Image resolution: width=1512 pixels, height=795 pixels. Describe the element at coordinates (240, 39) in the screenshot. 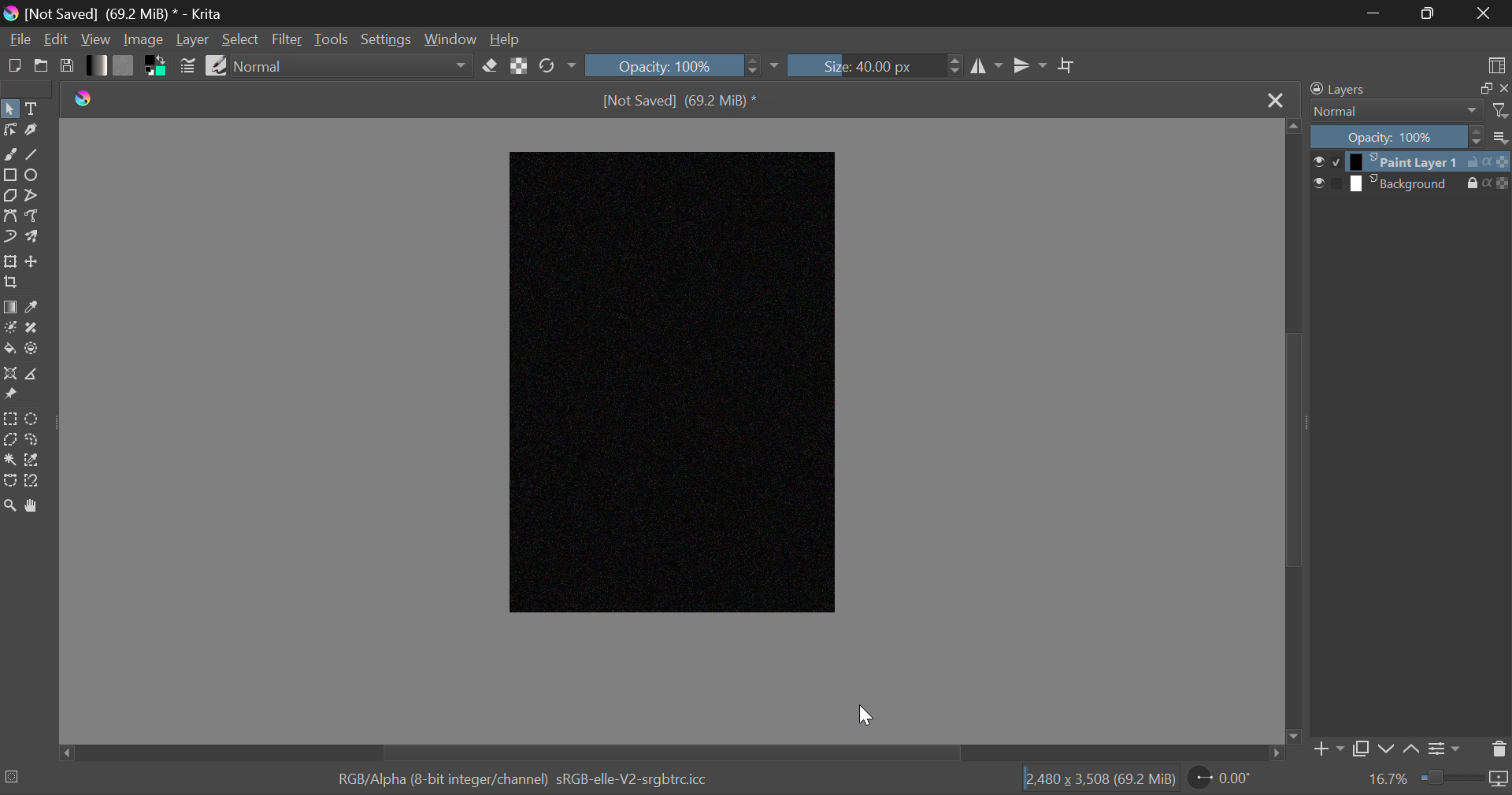

I see `Select` at that location.